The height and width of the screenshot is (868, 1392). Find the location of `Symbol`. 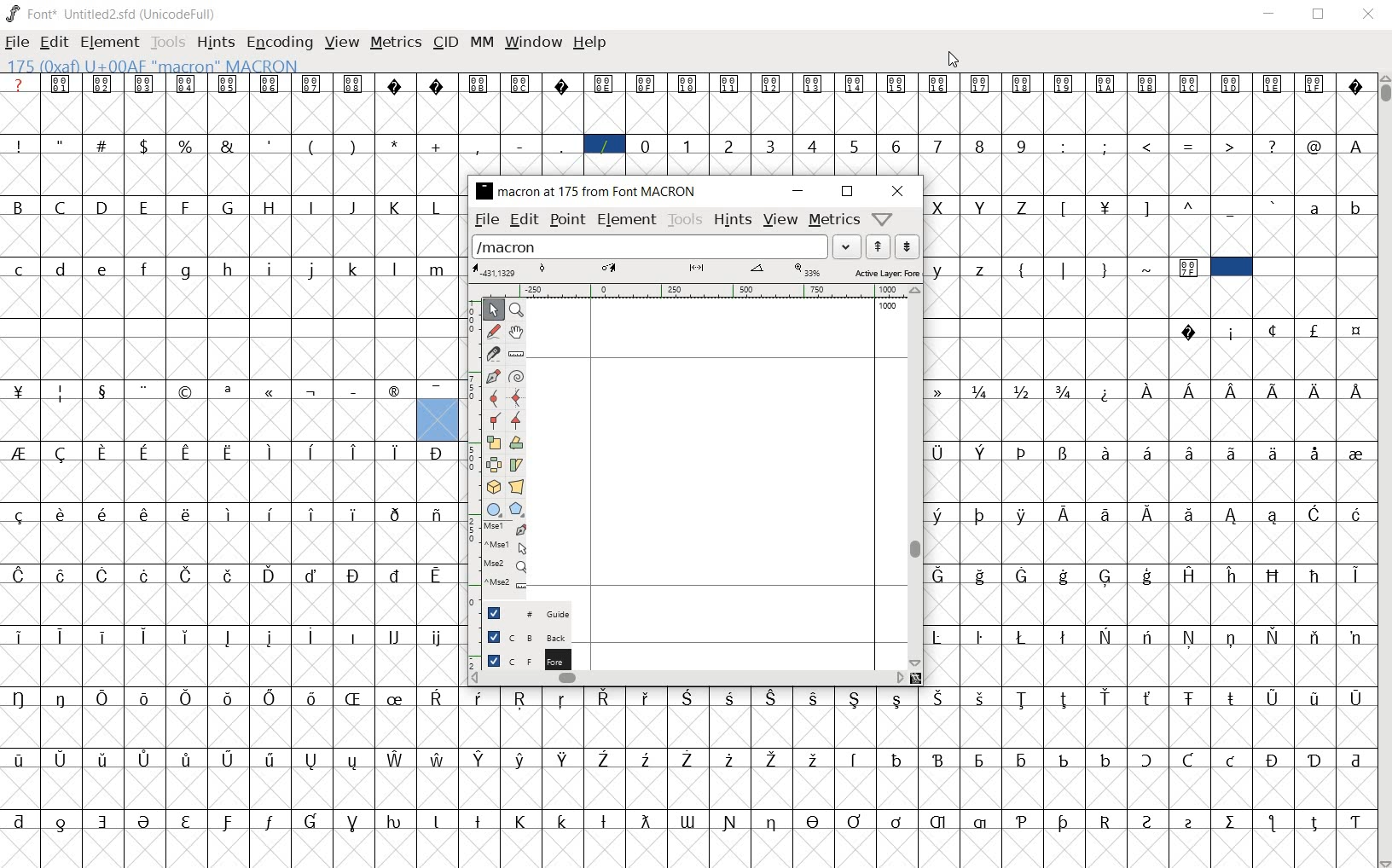

Symbol is located at coordinates (1314, 637).